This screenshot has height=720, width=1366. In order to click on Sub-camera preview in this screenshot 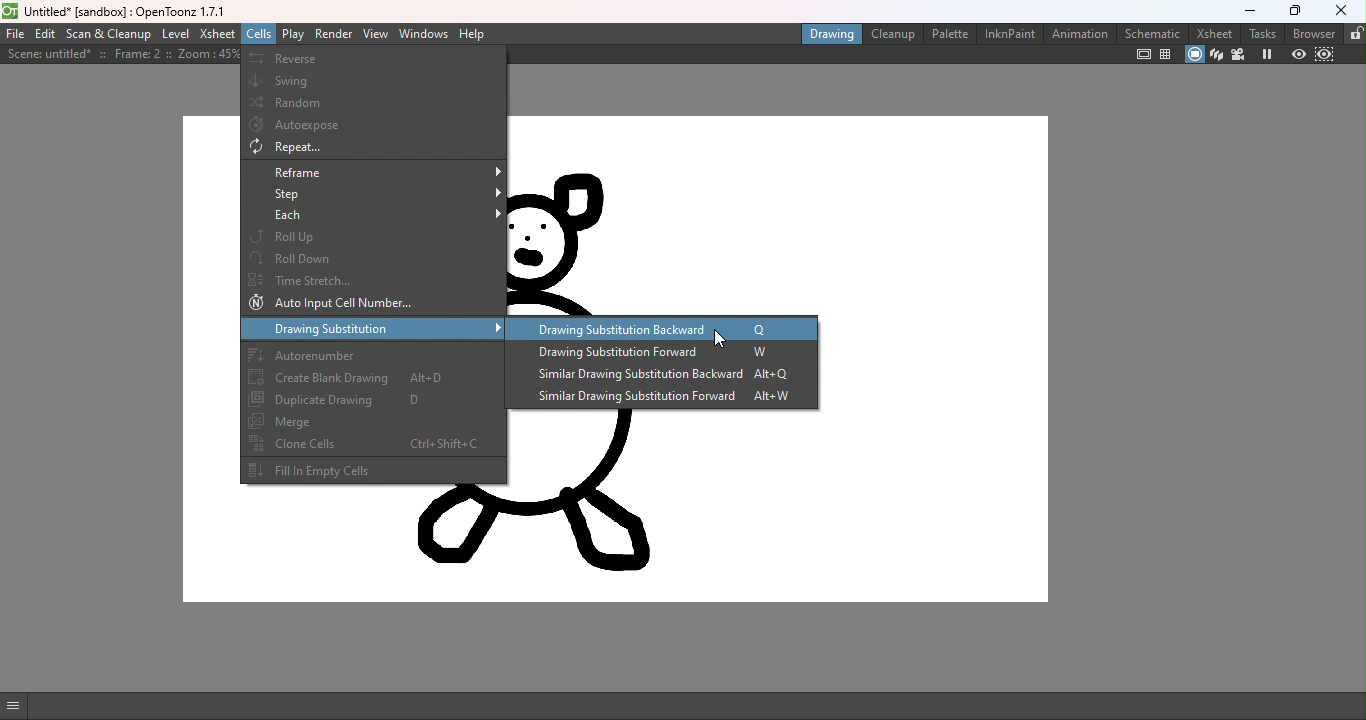, I will do `click(1325, 55)`.